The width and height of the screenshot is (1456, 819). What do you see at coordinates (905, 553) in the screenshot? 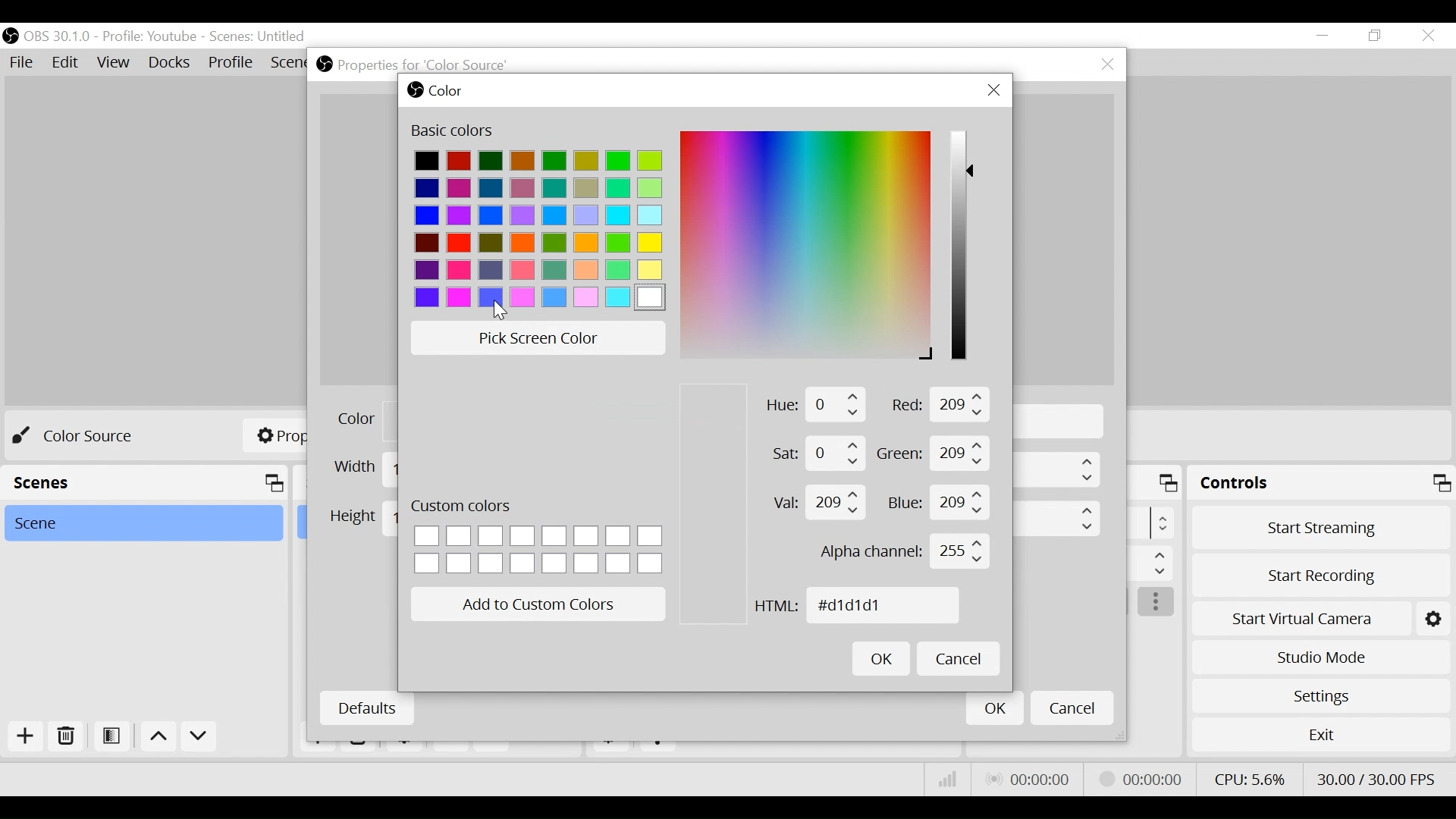
I see `Alpha Channel` at bounding box center [905, 553].